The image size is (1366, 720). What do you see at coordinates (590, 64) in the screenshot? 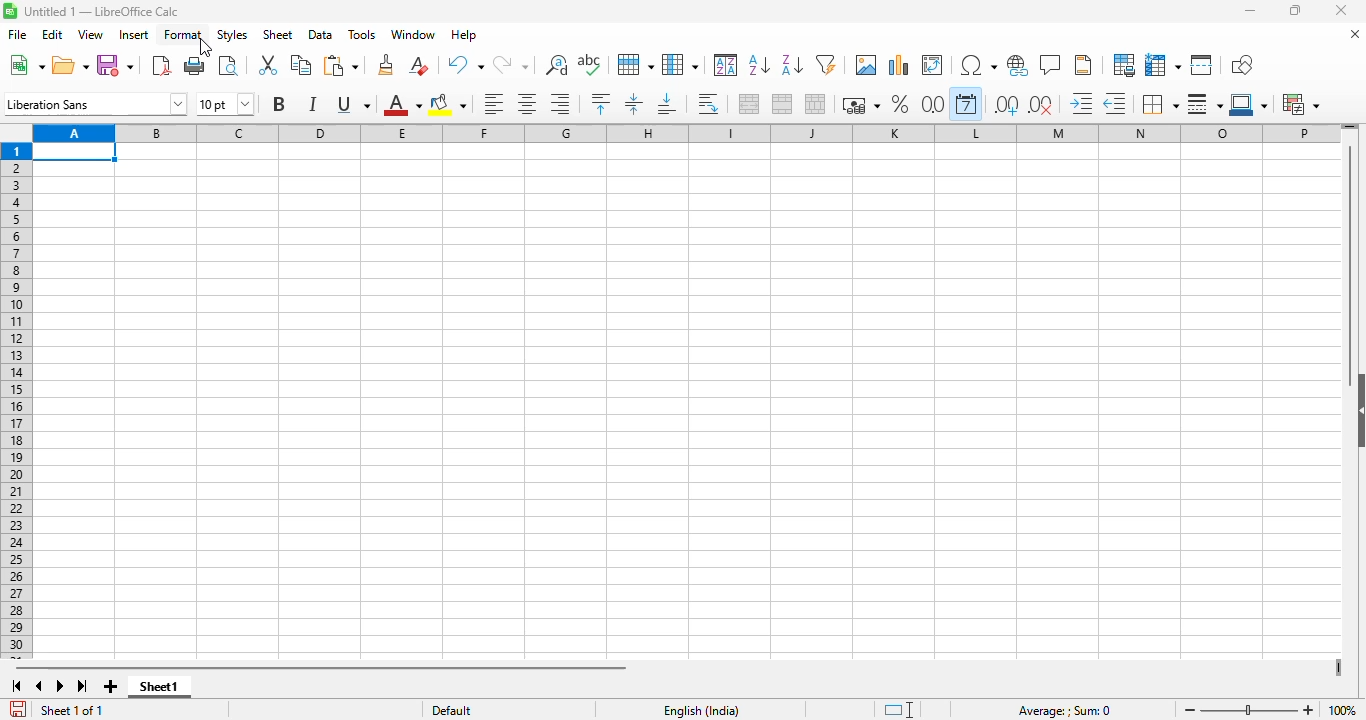
I see `spelling` at bounding box center [590, 64].